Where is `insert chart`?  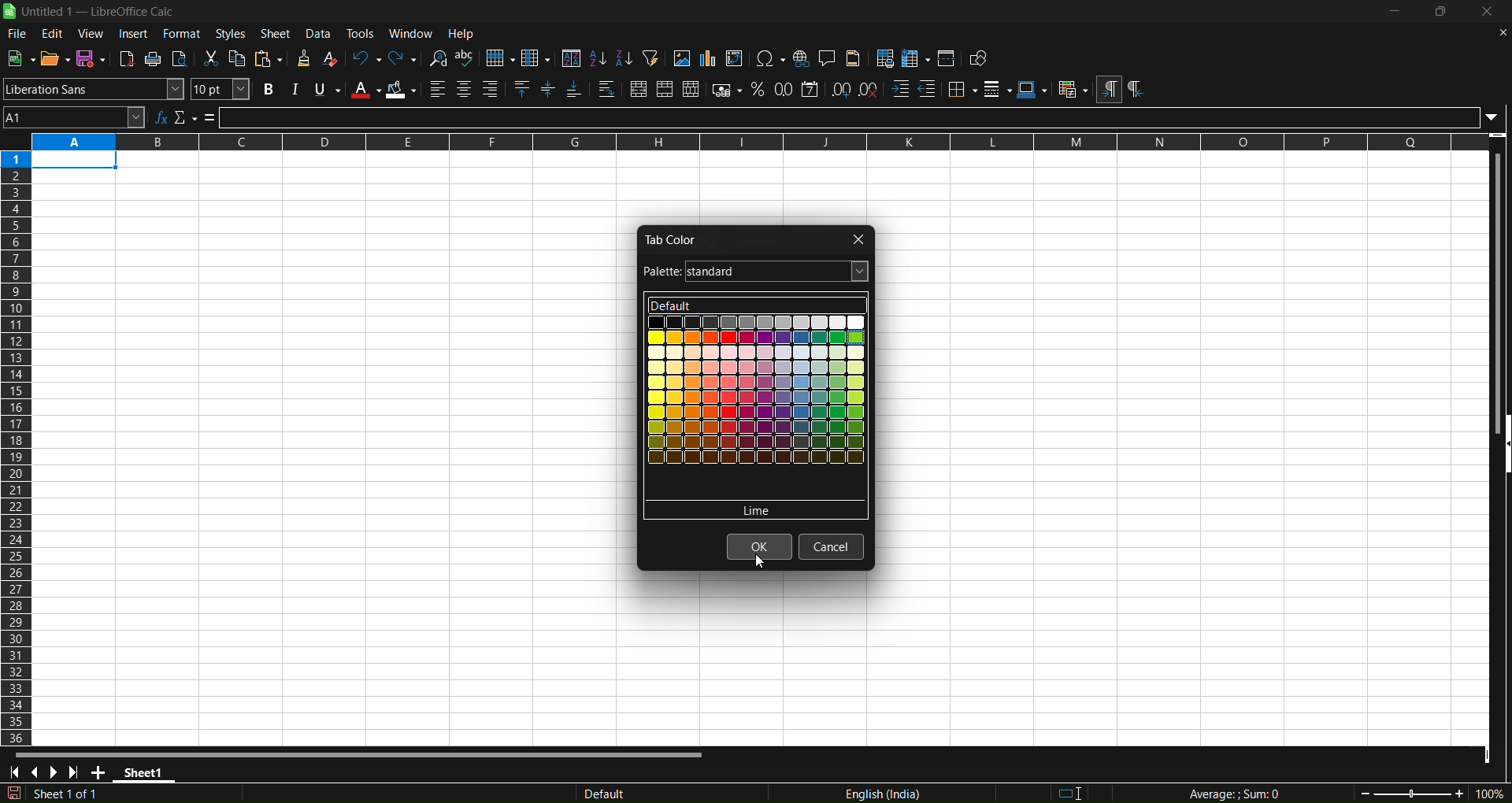 insert chart is located at coordinates (706, 59).